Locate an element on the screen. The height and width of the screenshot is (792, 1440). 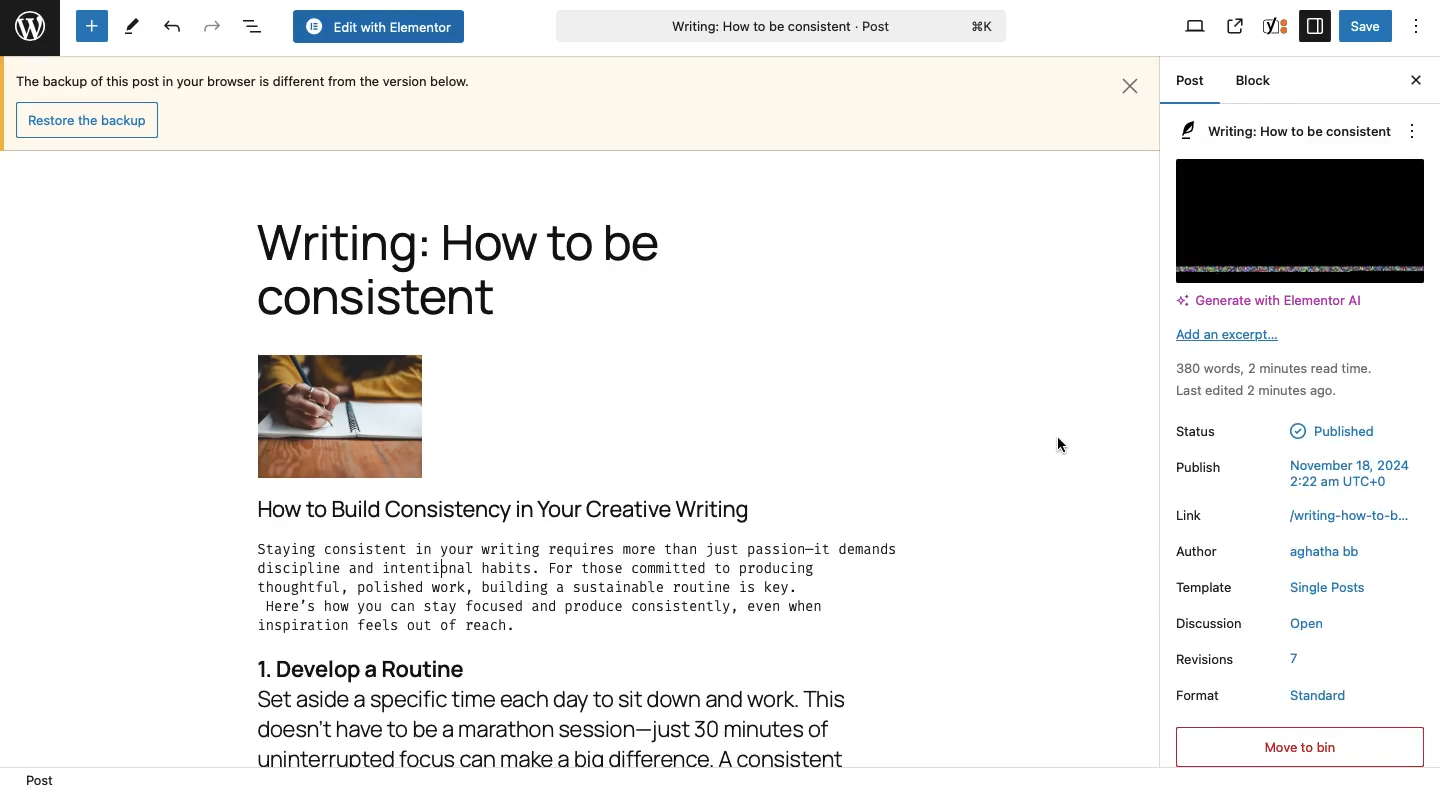
Document overview is located at coordinates (251, 27).